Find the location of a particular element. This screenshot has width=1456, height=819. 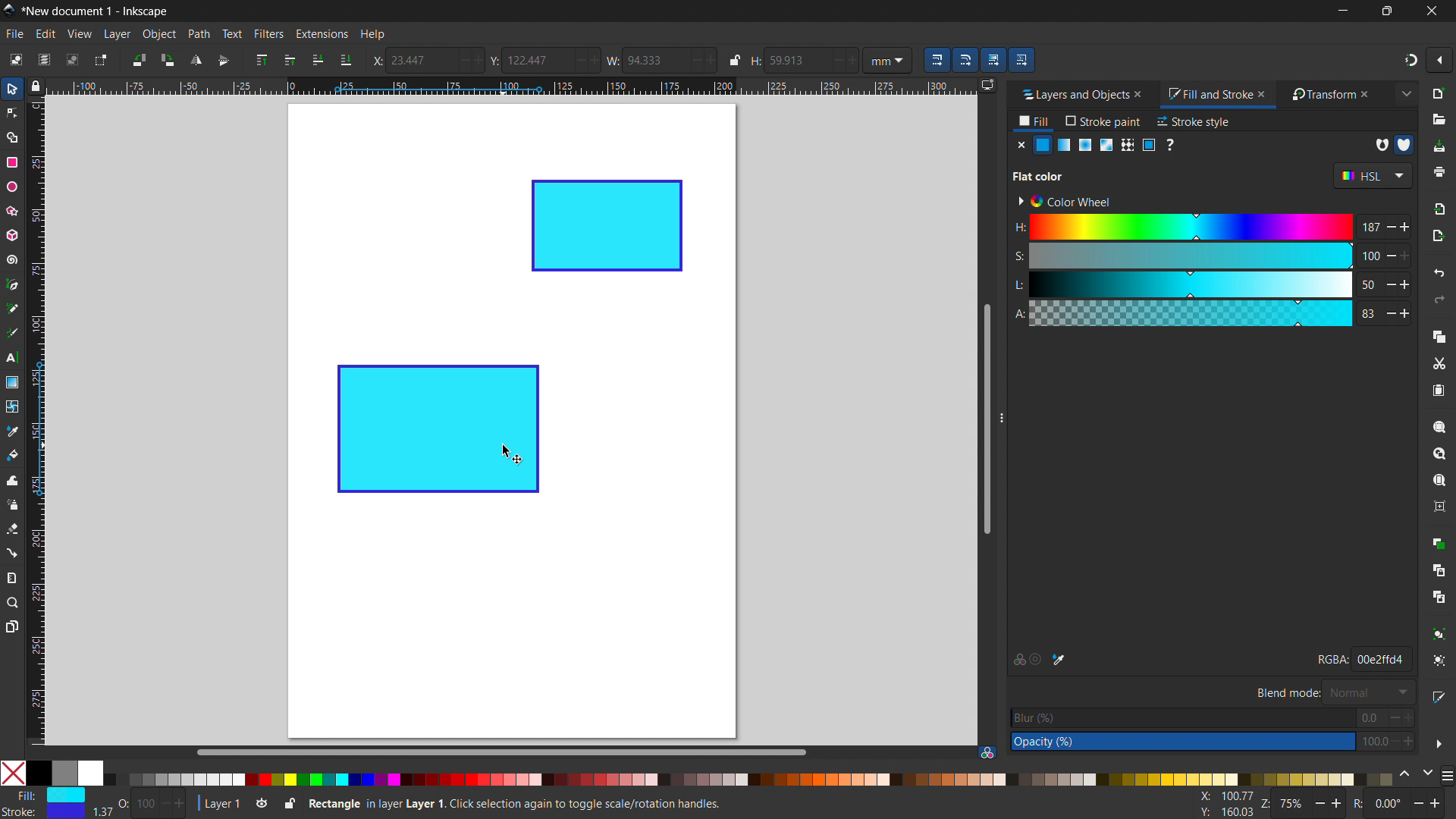

out of gamut is located at coordinates (1036, 661).